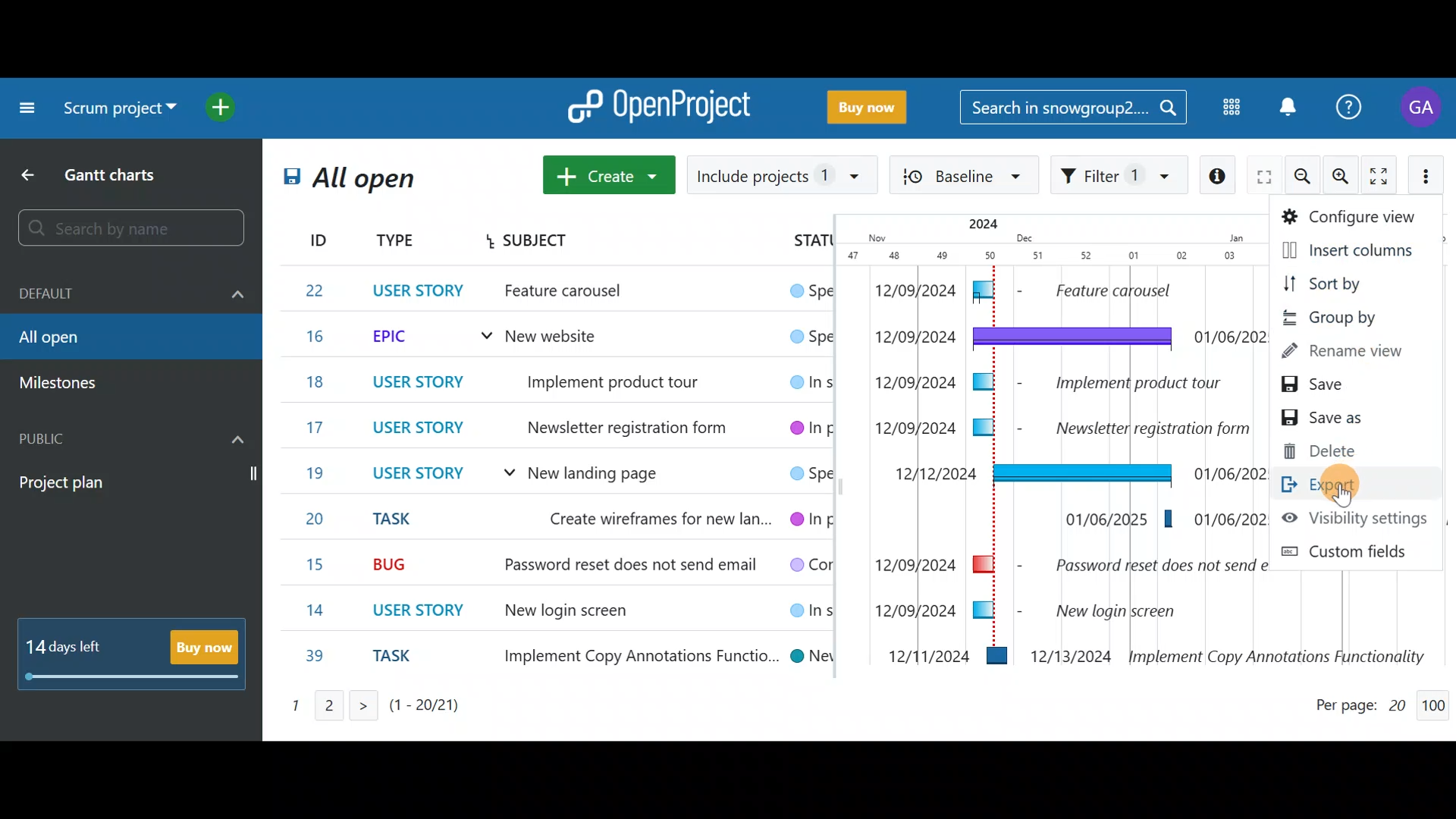 Image resolution: width=1456 pixels, height=819 pixels. Describe the element at coordinates (1352, 105) in the screenshot. I see `Help` at that location.